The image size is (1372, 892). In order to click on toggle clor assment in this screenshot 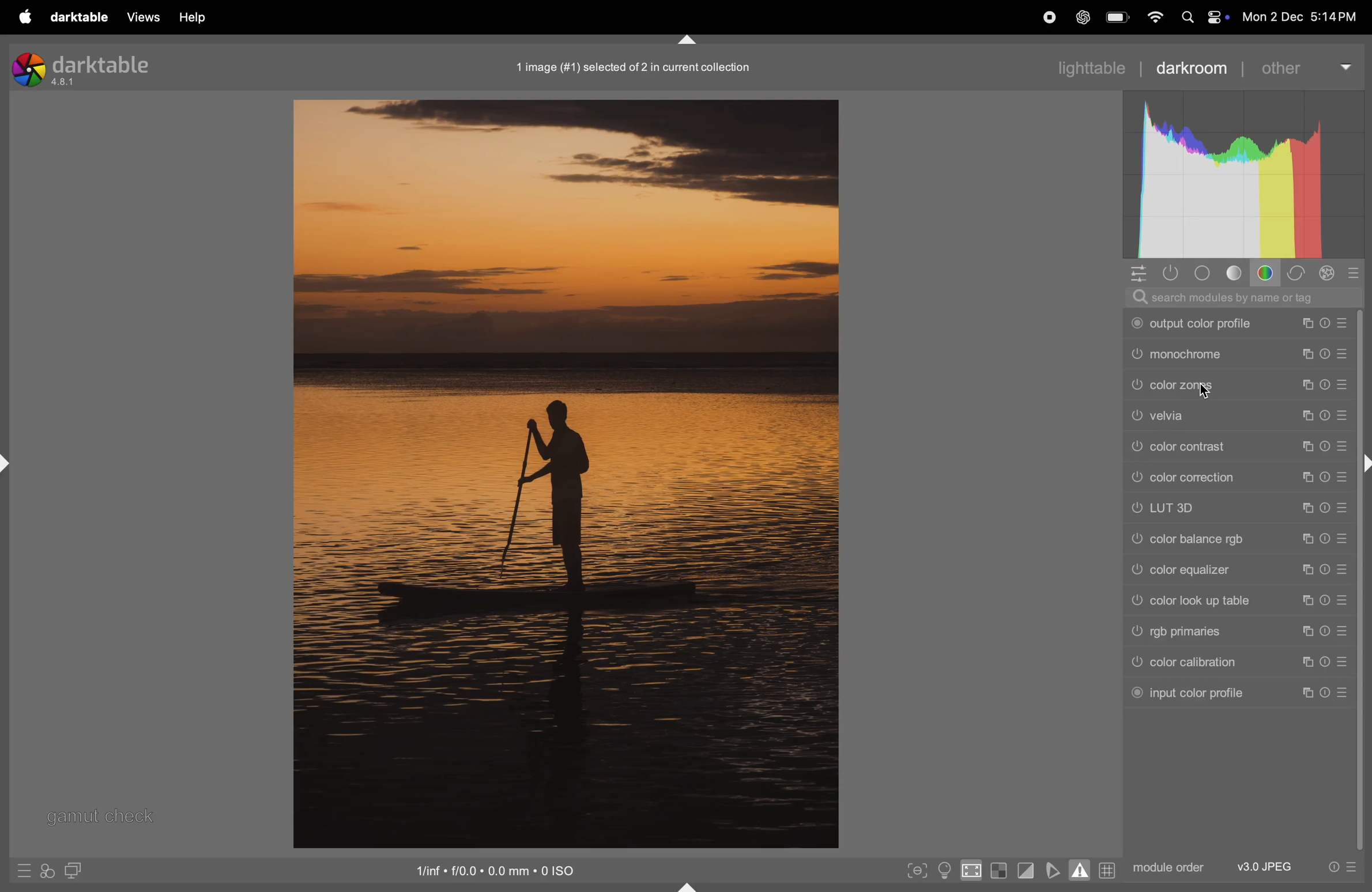, I will do `click(944, 870)`.